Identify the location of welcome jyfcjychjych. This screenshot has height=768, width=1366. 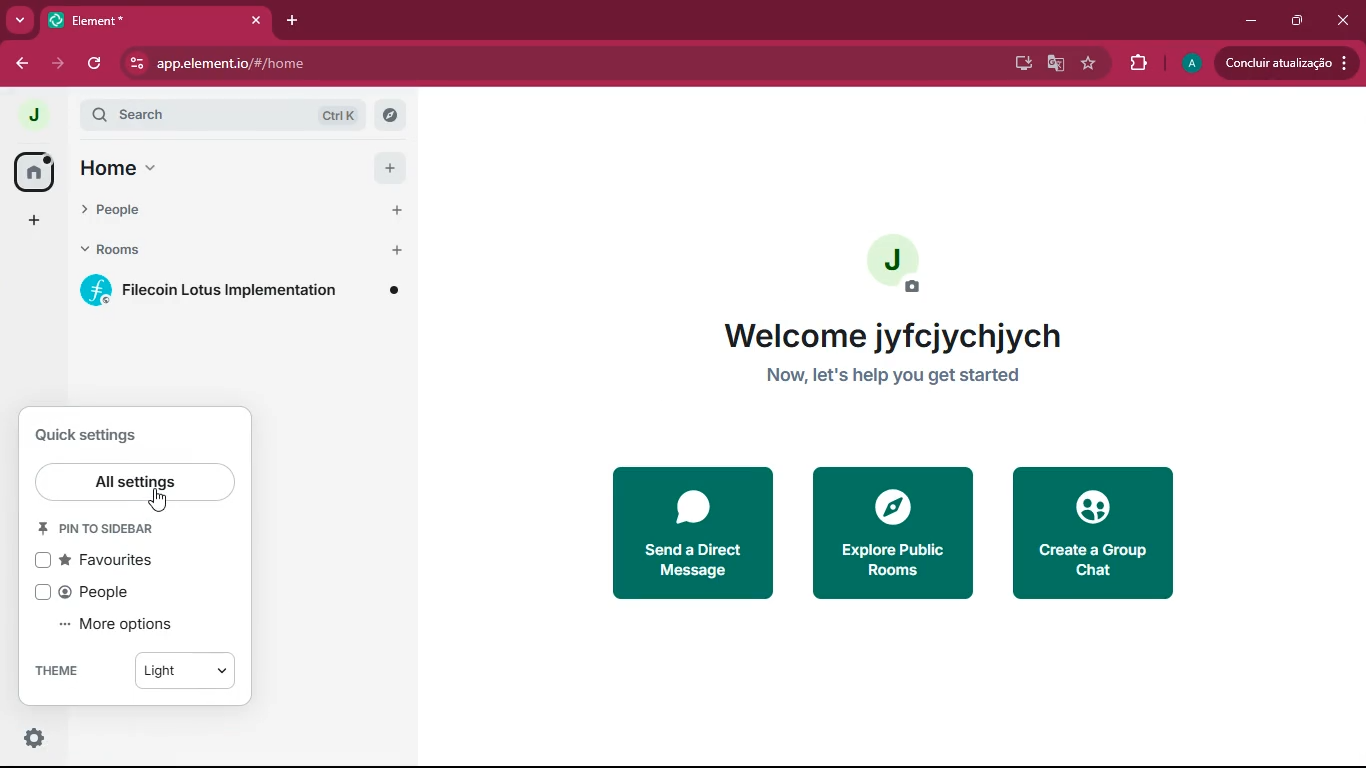
(909, 336).